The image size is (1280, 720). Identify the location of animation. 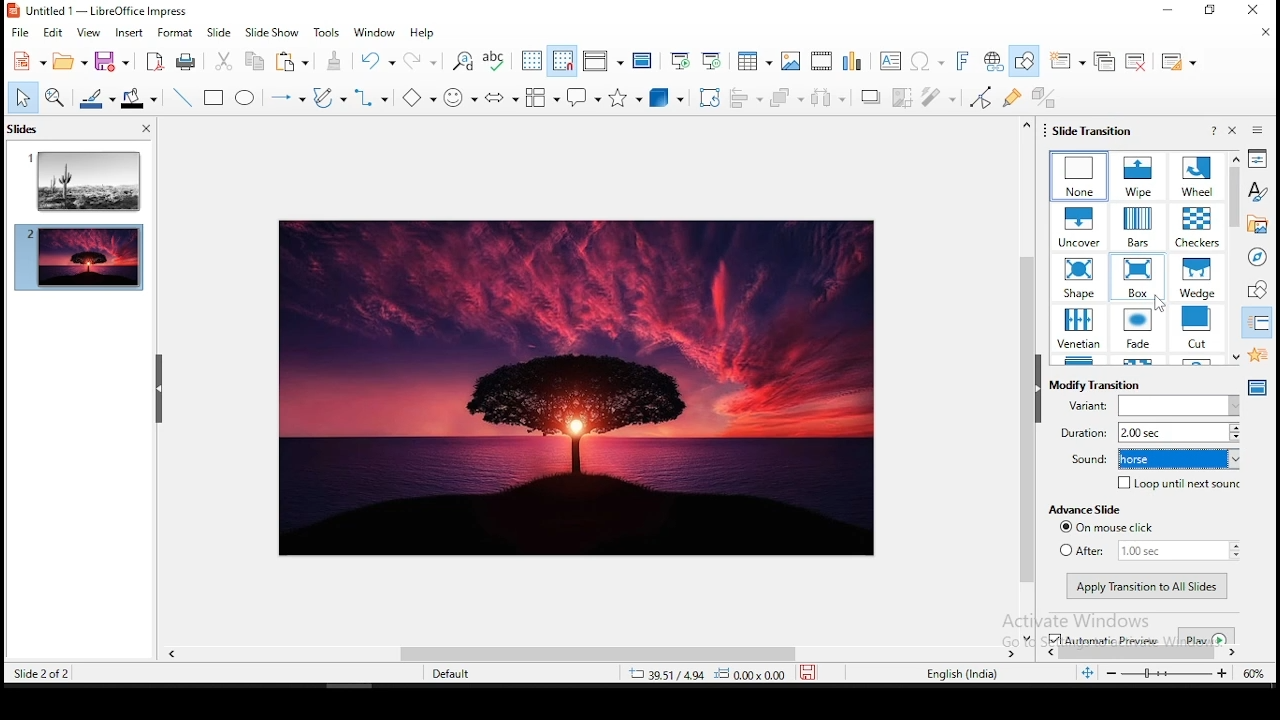
(1256, 353).